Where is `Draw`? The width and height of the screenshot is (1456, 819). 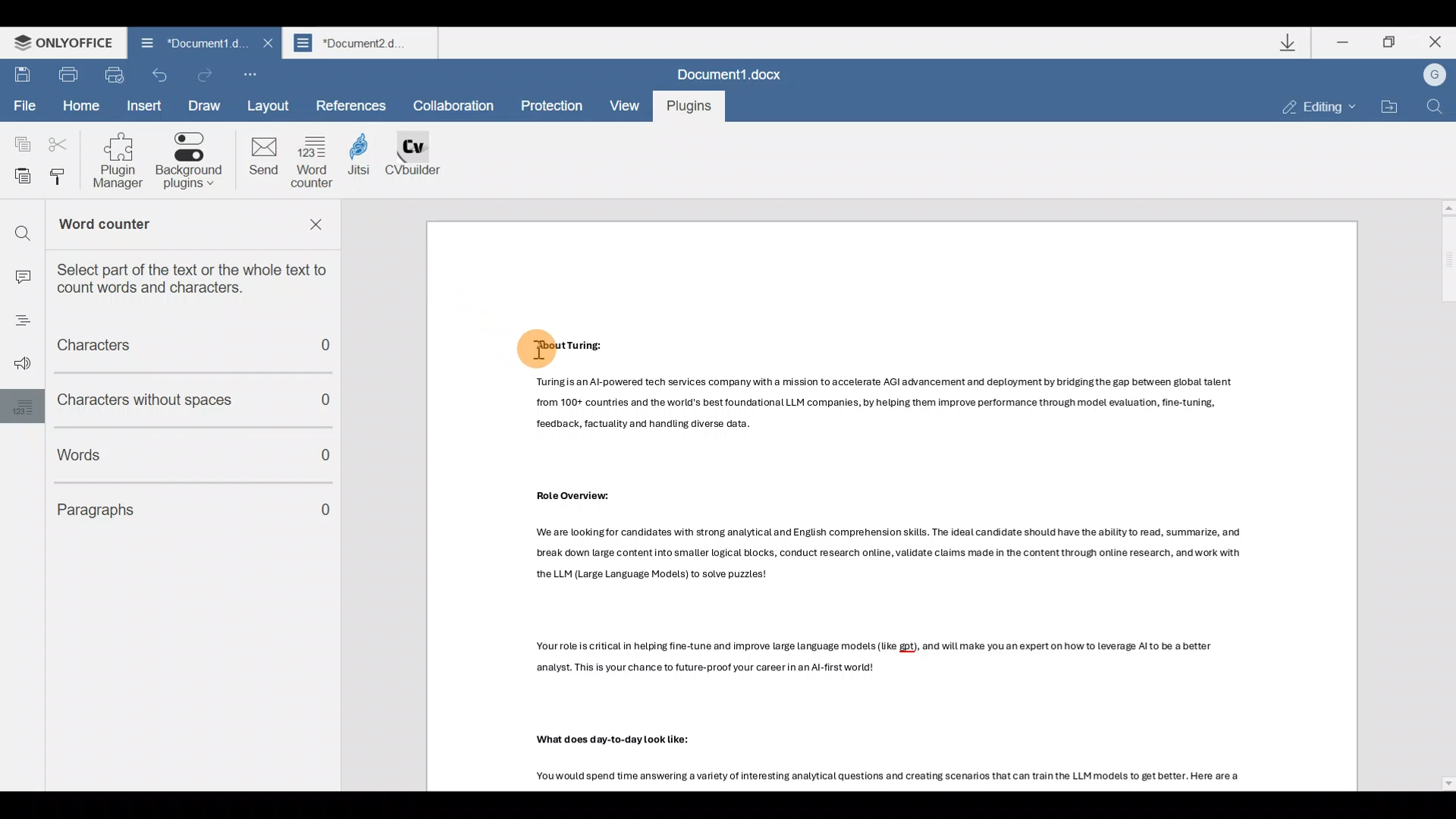
Draw is located at coordinates (206, 106).